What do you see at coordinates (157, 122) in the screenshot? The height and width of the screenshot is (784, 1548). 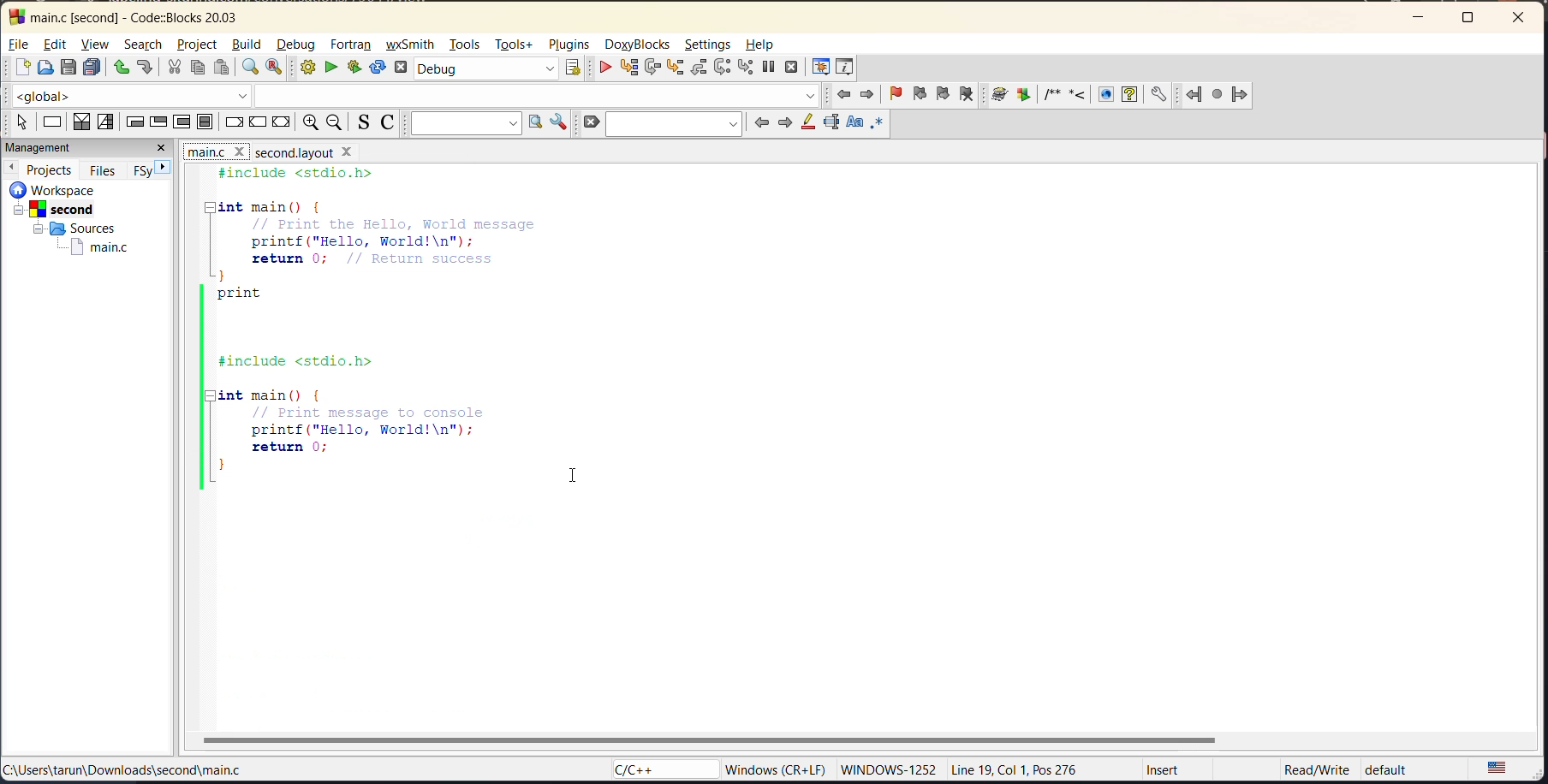 I see `exit condition loop` at bounding box center [157, 122].